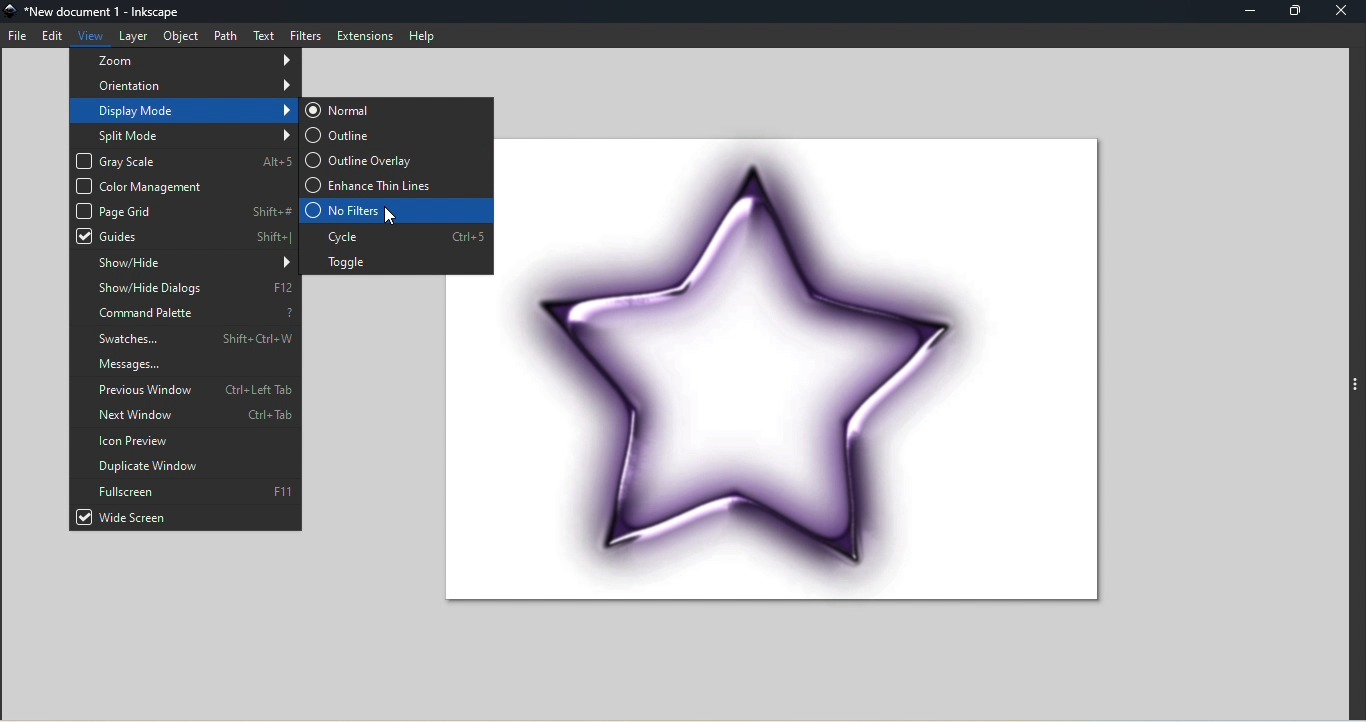 This screenshot has width=1366, height=722. What do you see at coordinates (50, 34) in the screenshot?
I see `Edit` at bounding box center [50, 34].